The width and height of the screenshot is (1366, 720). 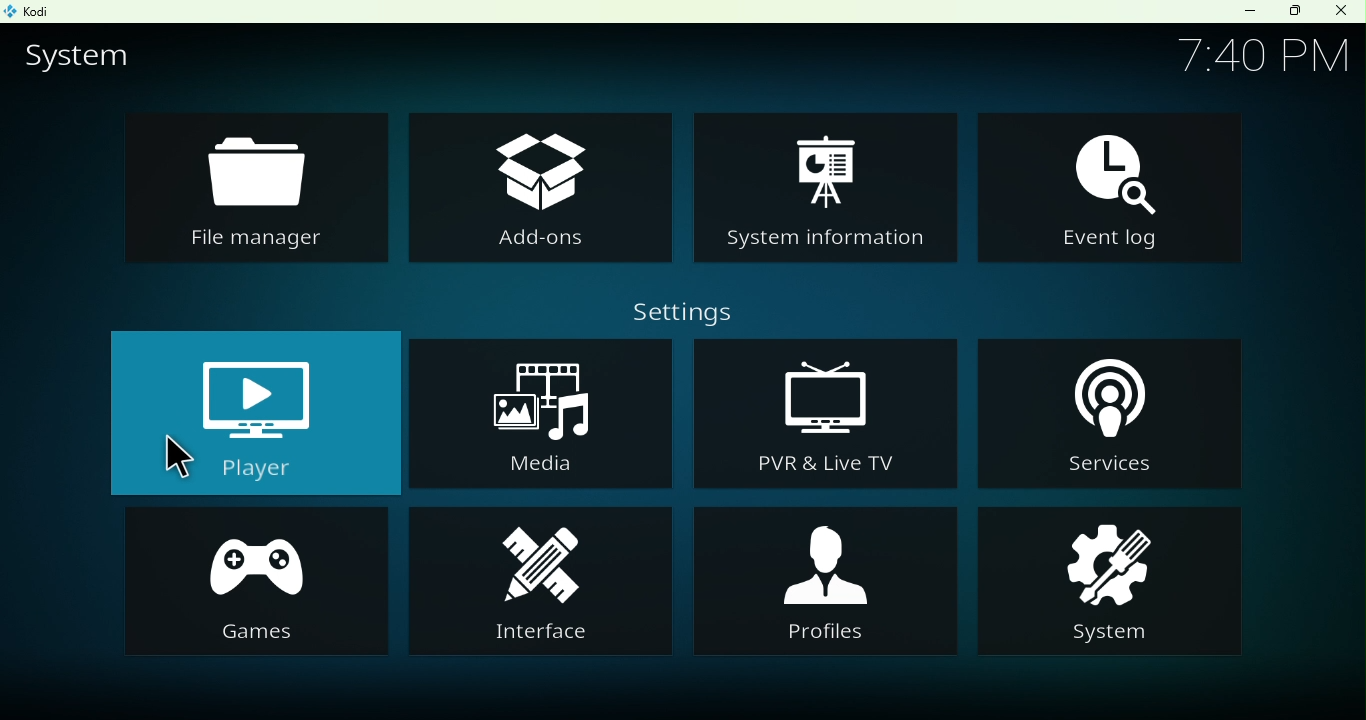 What do you see at coordinates (826, 580) in the screenshot?
I see `Profiles` at bounding box center [826, 580].